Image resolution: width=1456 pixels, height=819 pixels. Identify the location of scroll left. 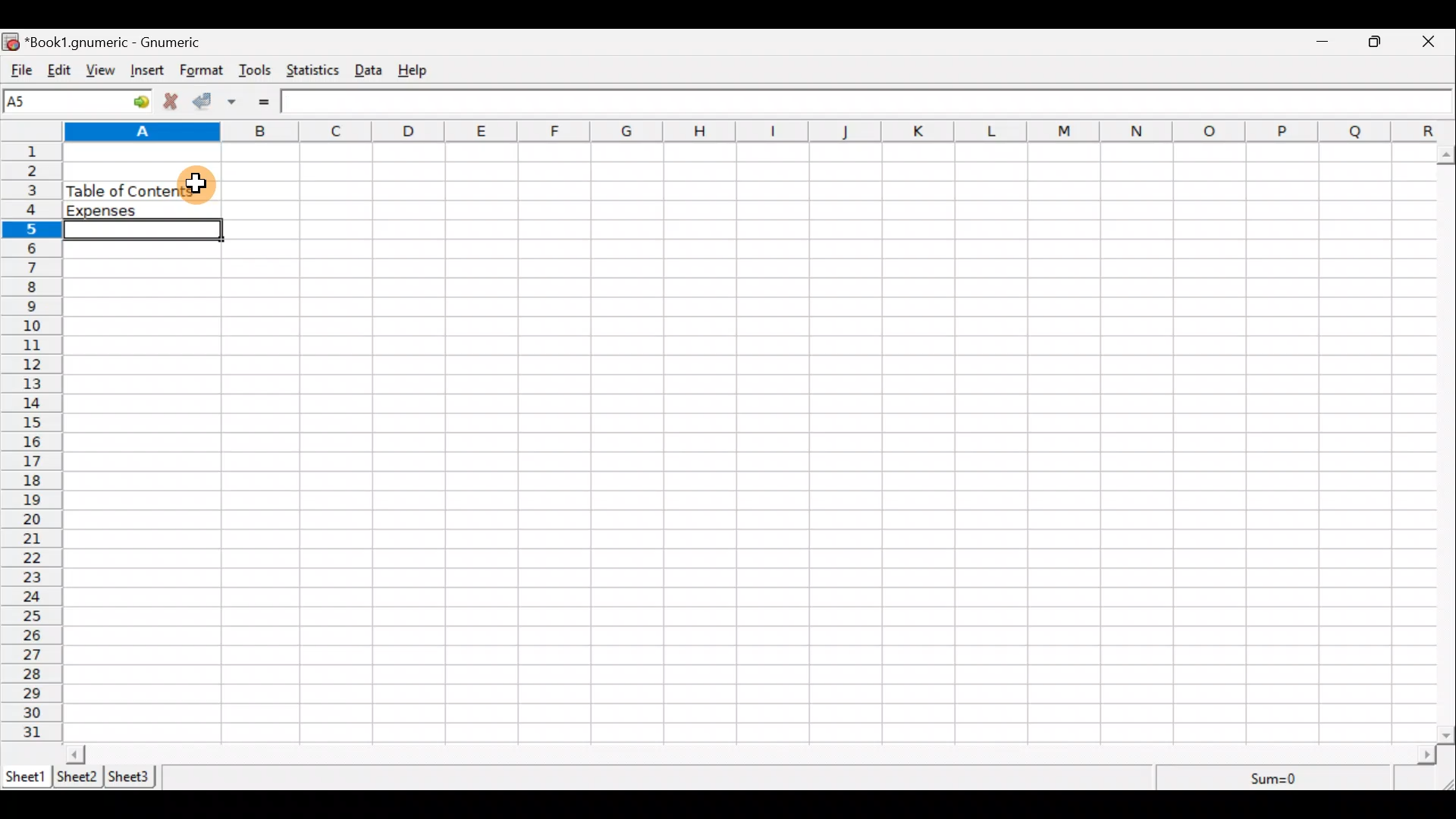
(75, 754).